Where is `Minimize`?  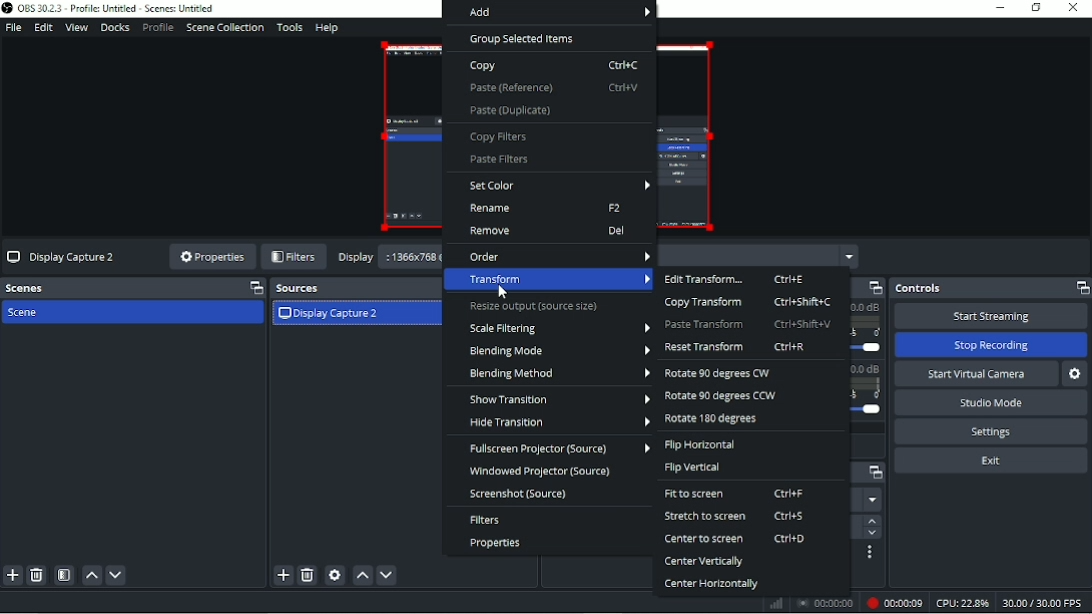
Minimize is located at coordinates (1001, 7).